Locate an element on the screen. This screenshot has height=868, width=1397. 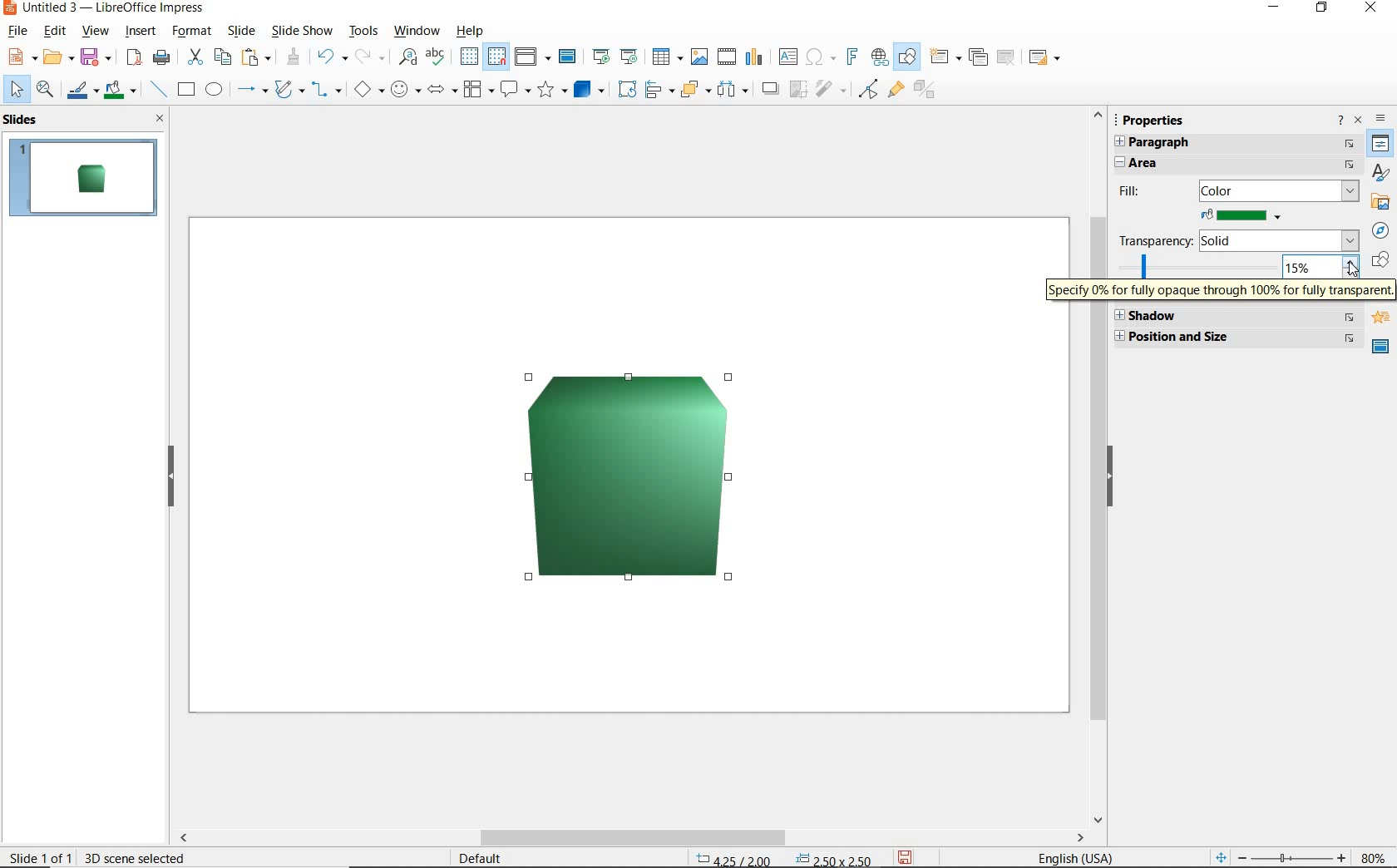
fill color is located at coordinates (121, 91).